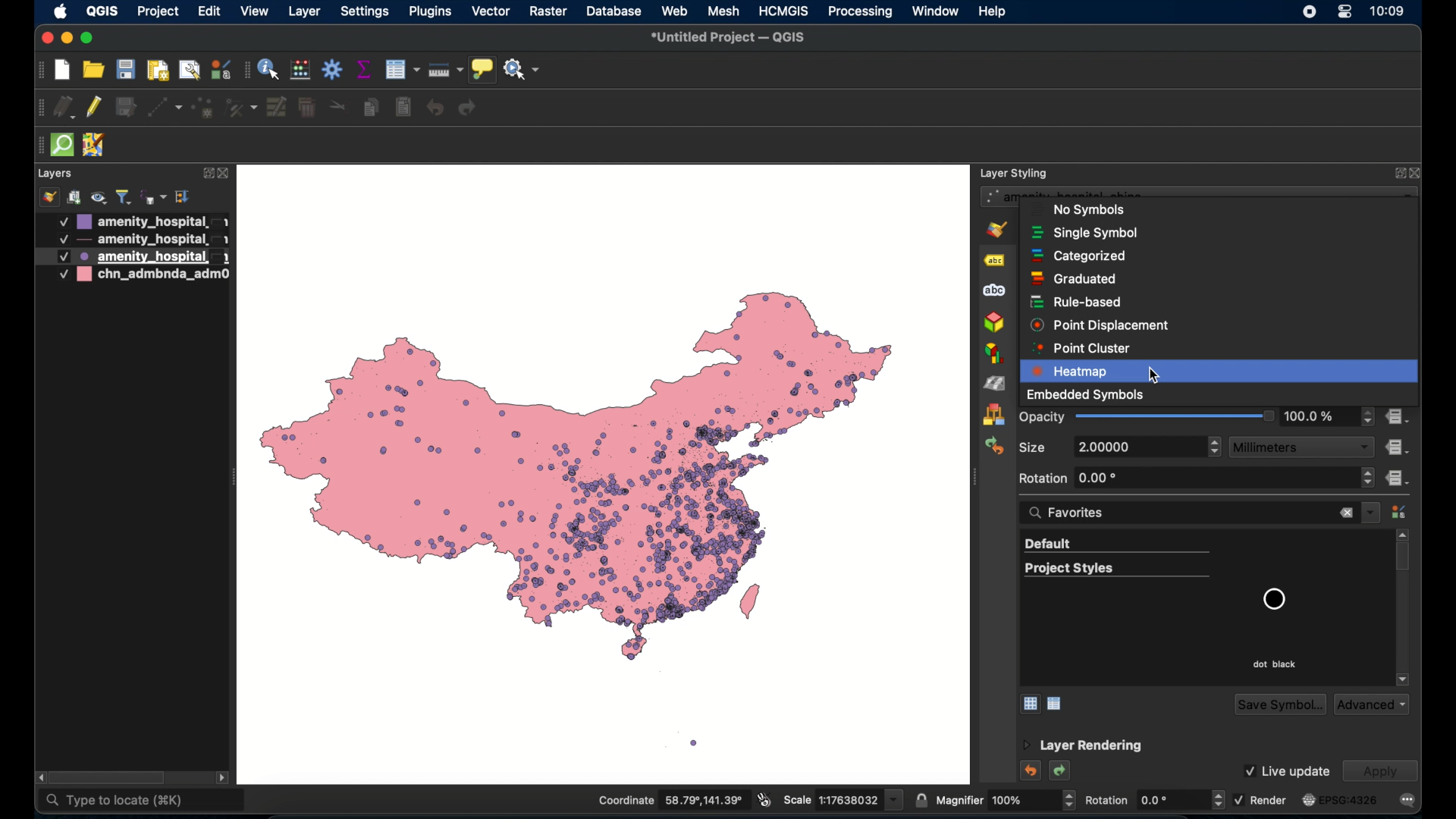  I want to click on close, so click(45, 39).